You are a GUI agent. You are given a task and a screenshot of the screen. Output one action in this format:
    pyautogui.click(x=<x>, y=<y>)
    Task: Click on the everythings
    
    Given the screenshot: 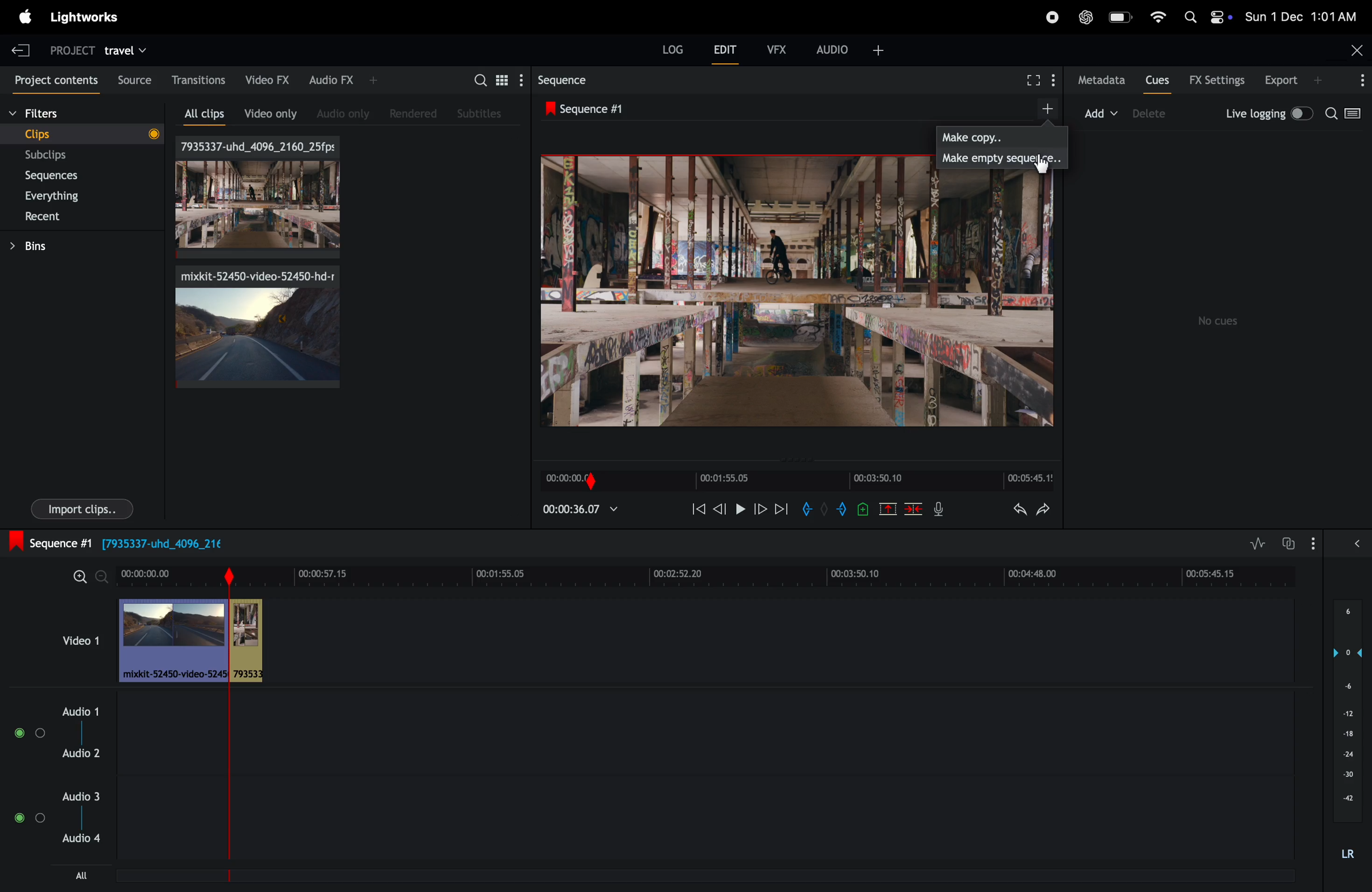 What is the action you would take?
    pyautogui.click(x=72, y=196)
    